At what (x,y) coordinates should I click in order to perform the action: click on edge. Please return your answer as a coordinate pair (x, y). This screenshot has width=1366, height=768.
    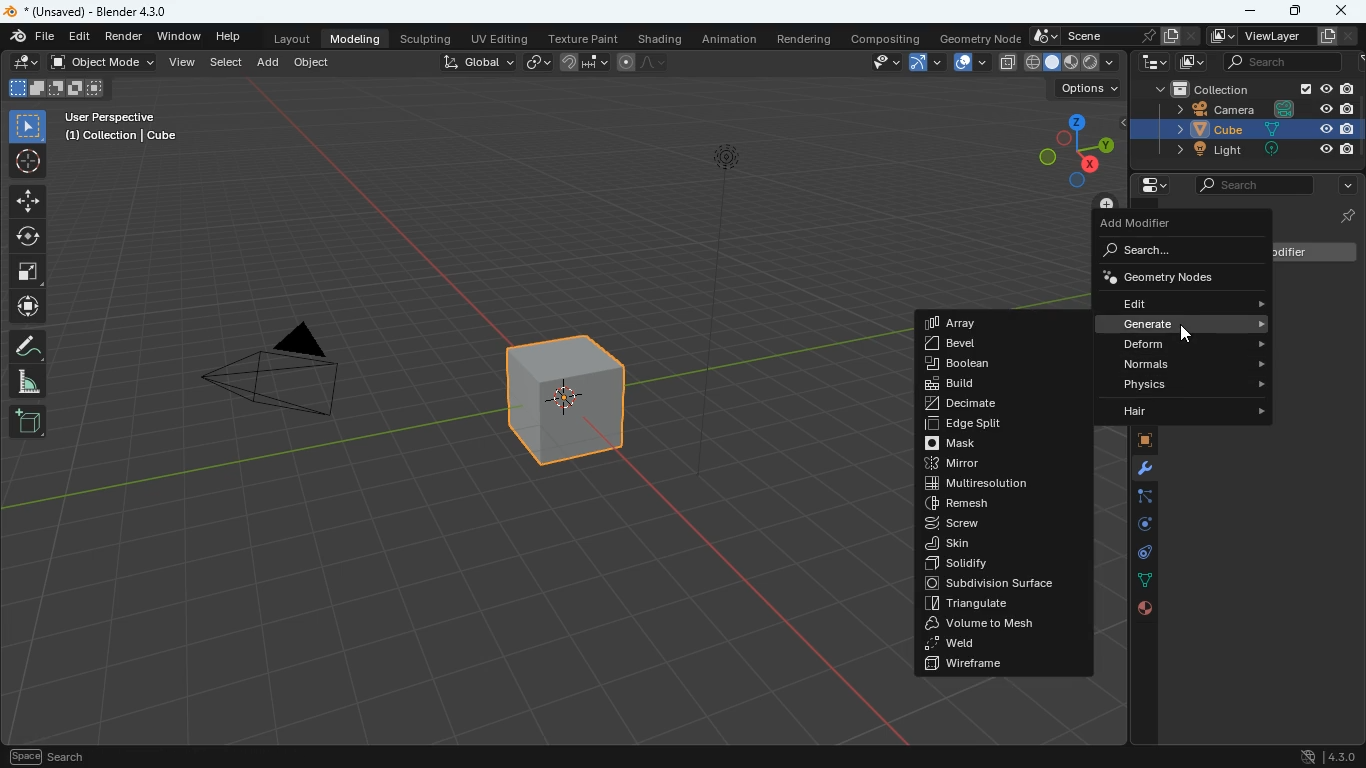
    Looking at the image, I should click on (1137, 499).